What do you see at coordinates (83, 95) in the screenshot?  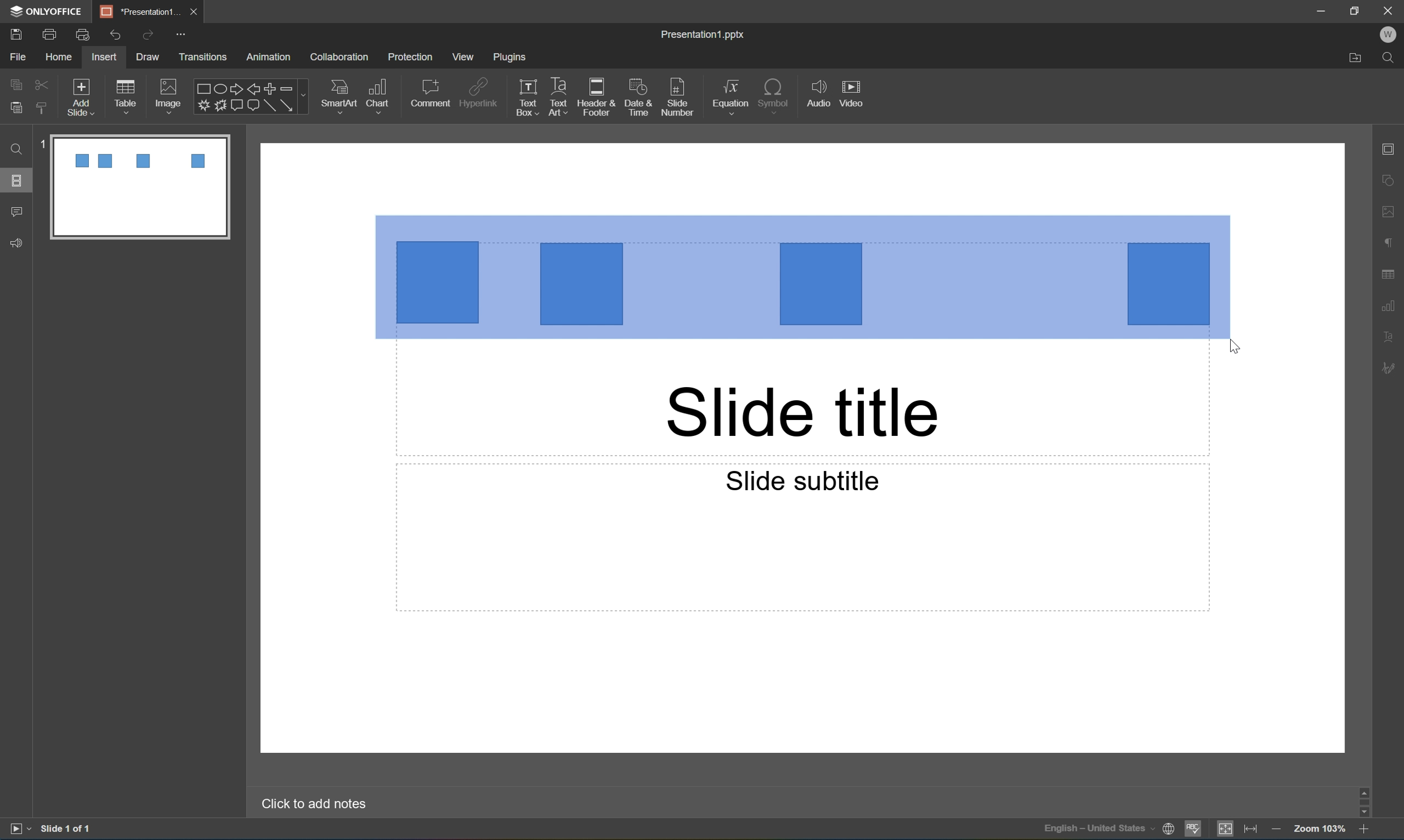 I see `add slide` at bounding box center [83, 95].